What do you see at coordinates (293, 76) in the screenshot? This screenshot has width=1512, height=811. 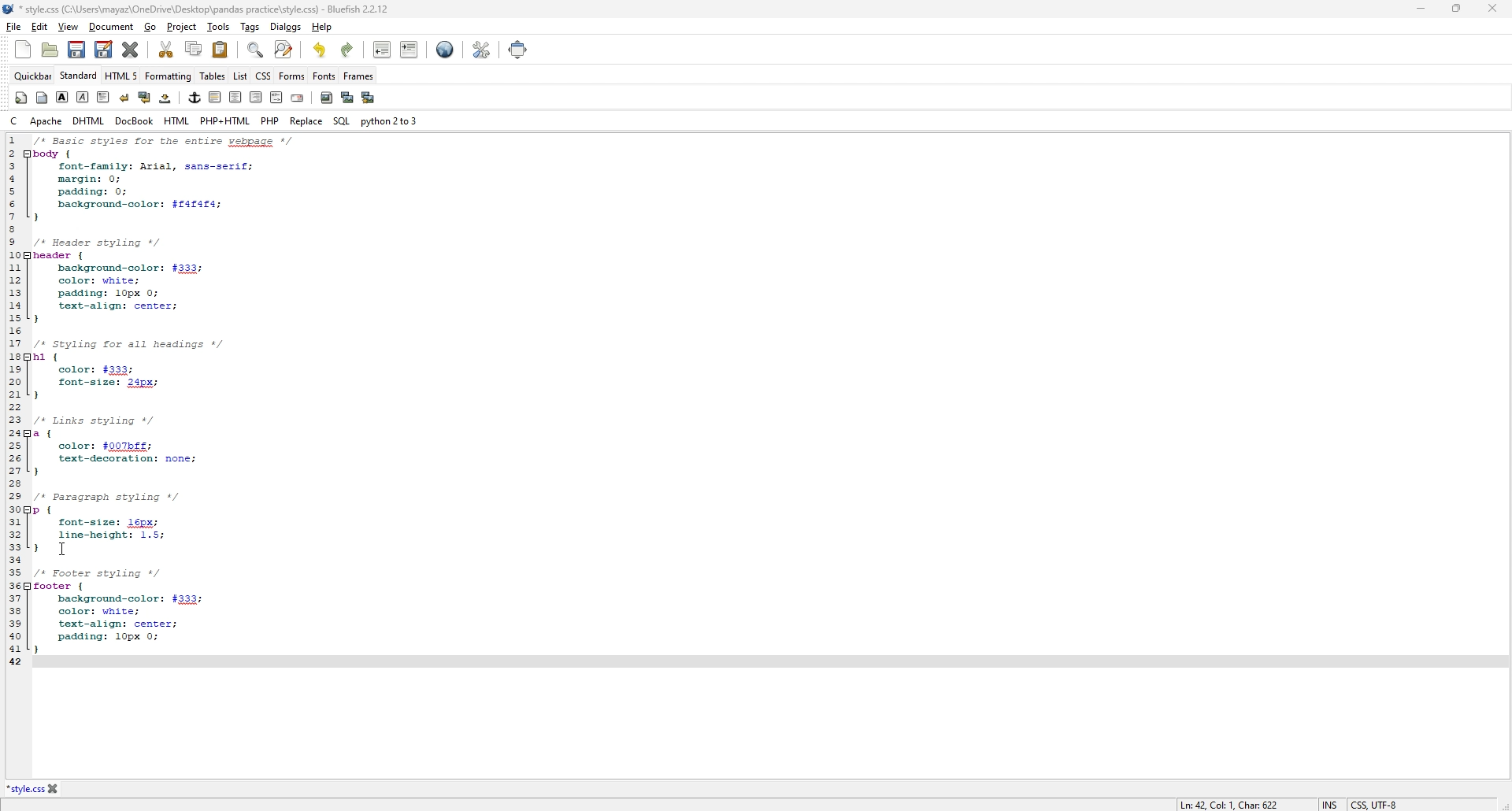 I see `forms` at bounding box center [293, 76].